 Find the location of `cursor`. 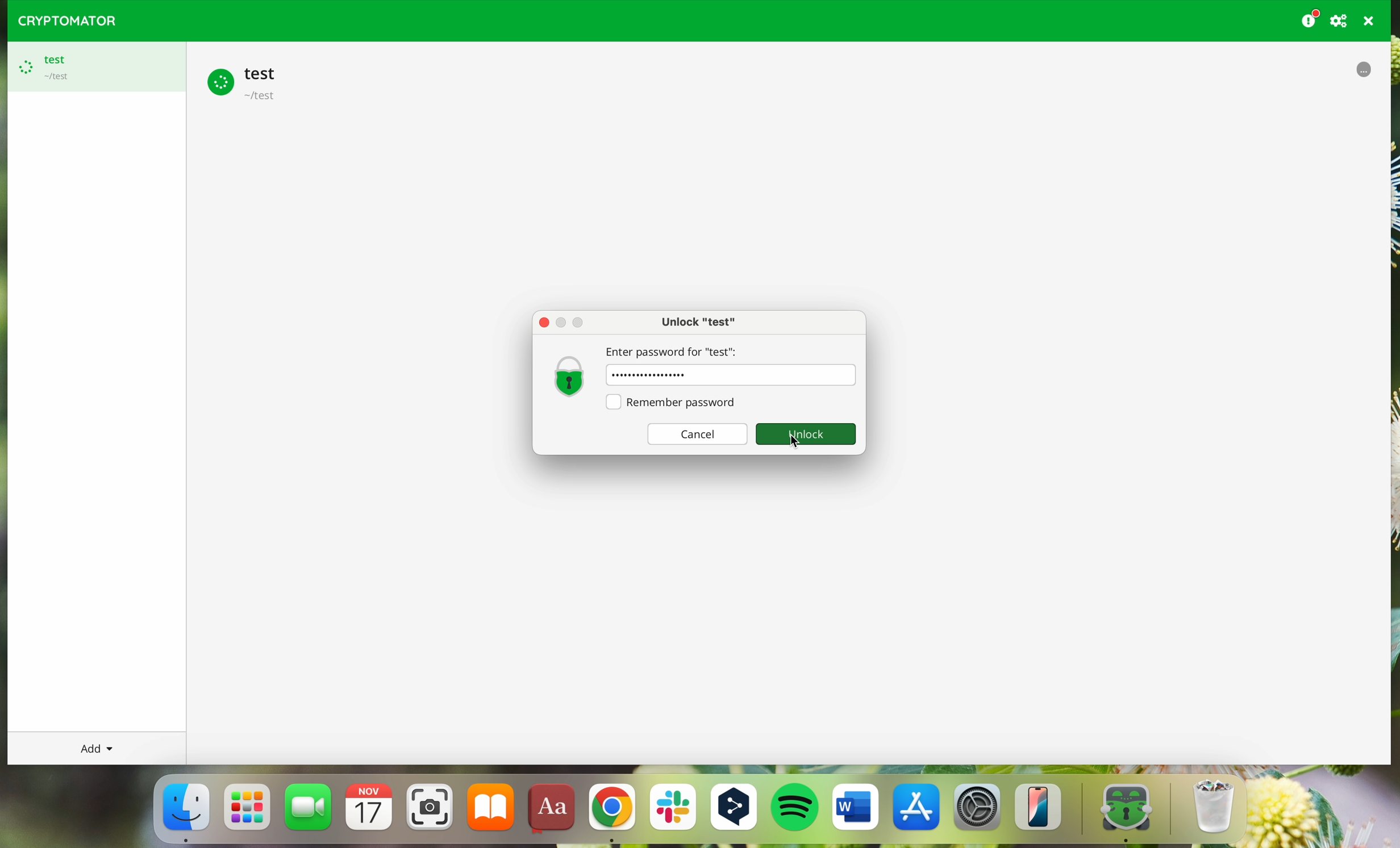

cursor is located at coordinates (795, 450).